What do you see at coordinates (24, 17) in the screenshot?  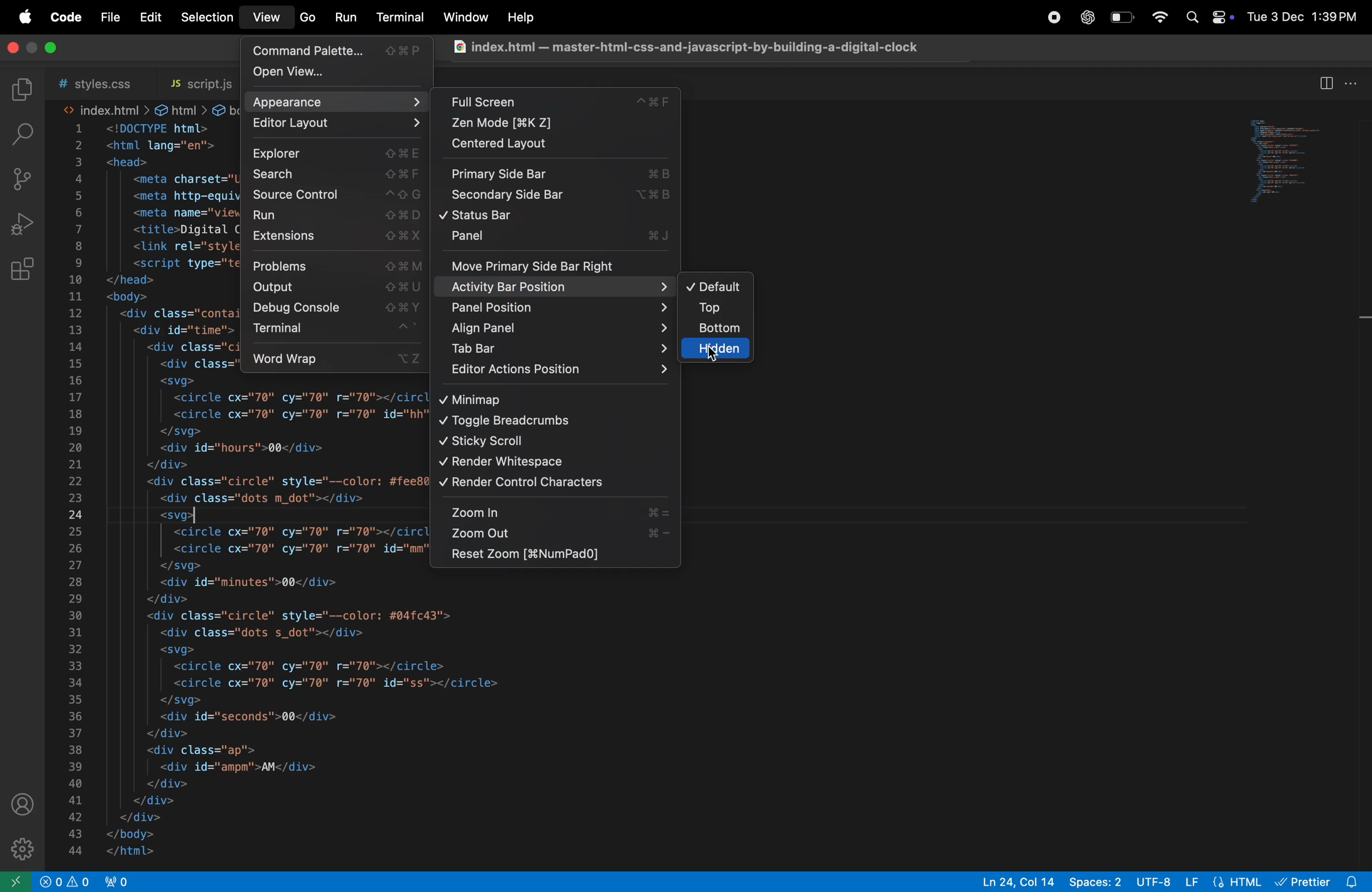 I see `apple menu` at bounding box center [24, 17].